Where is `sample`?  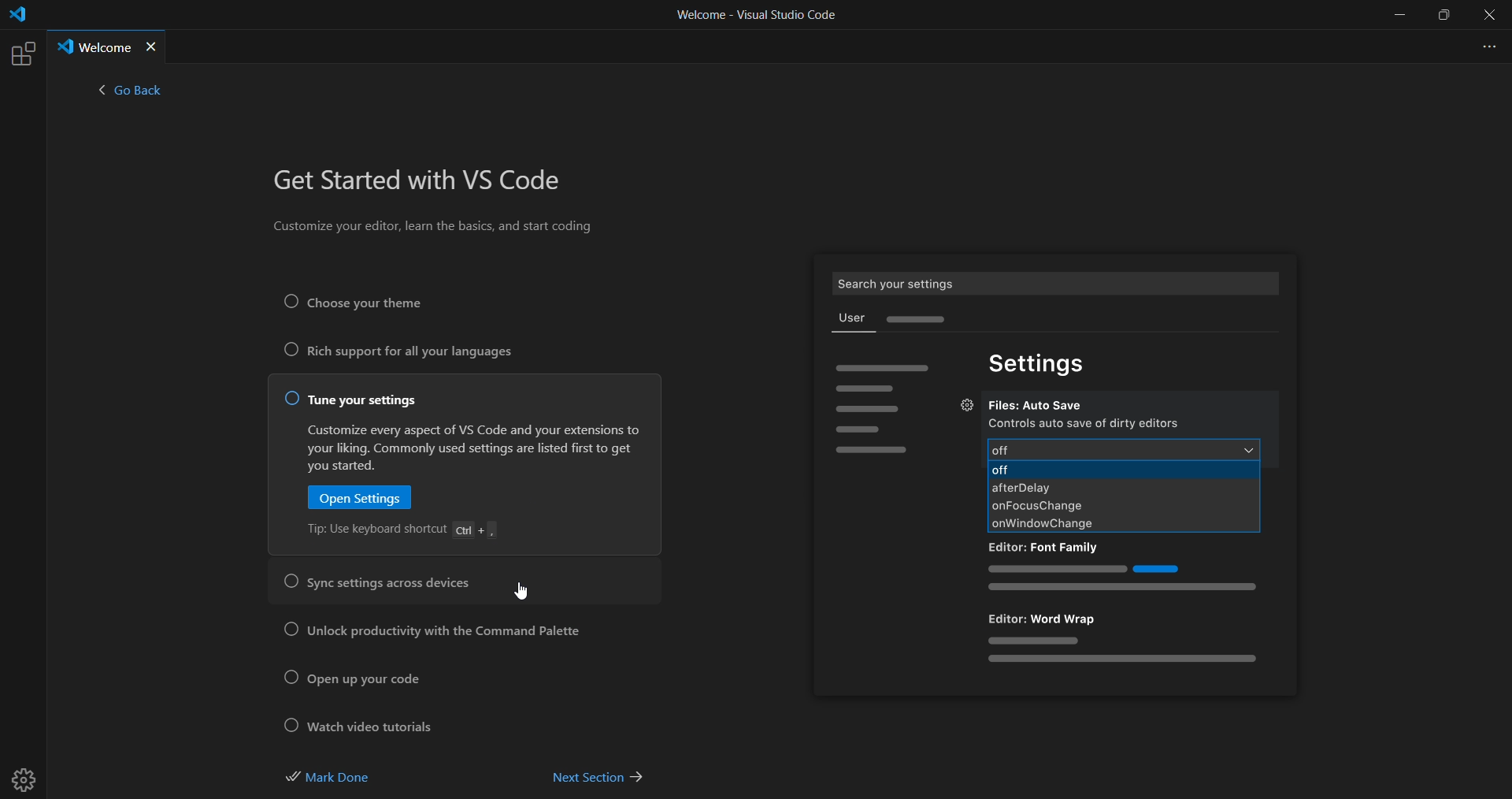
sample is located at coordinates (1138, 578).